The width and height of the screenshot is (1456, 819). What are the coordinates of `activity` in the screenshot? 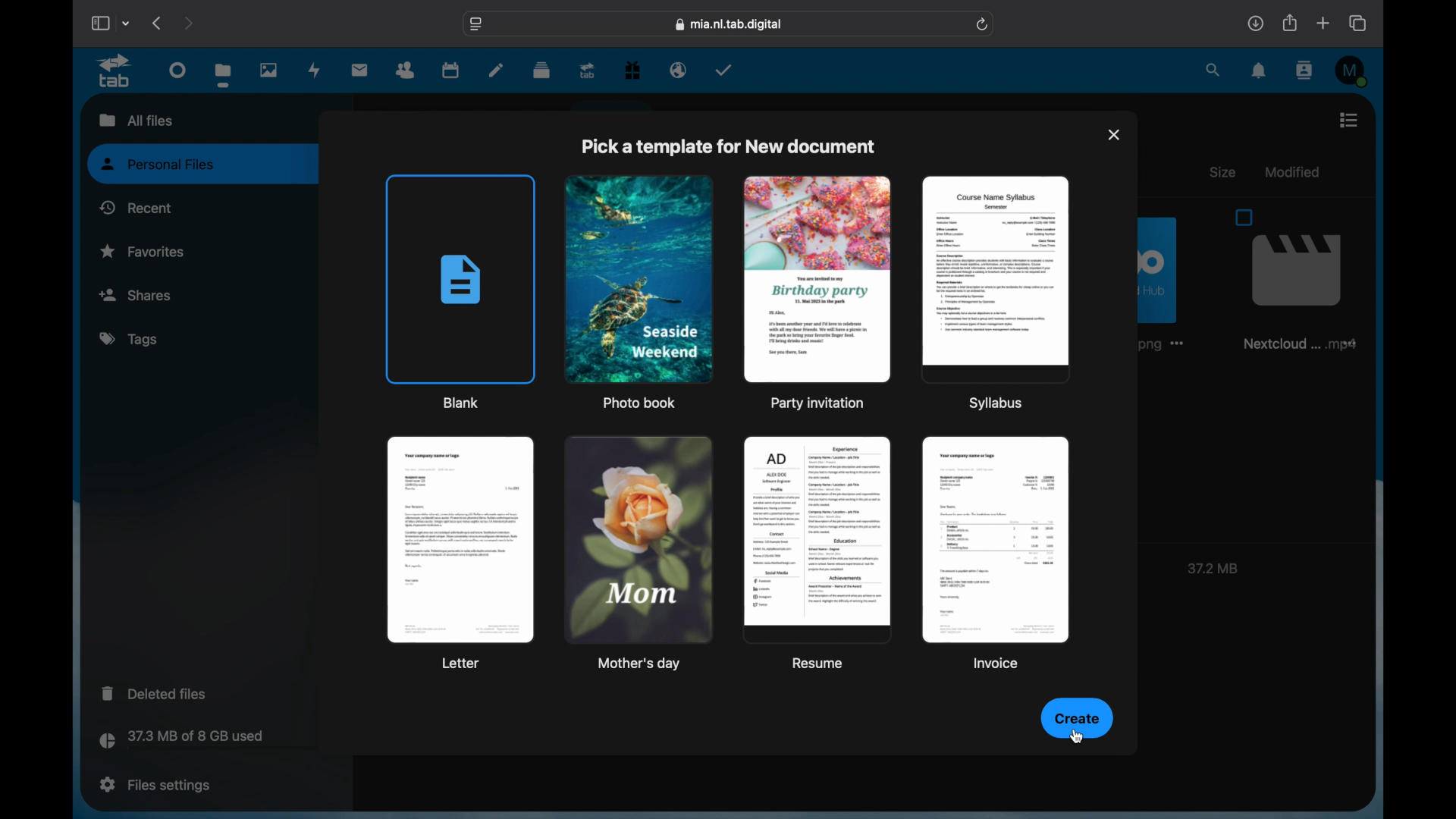 It's located at (315, 71).